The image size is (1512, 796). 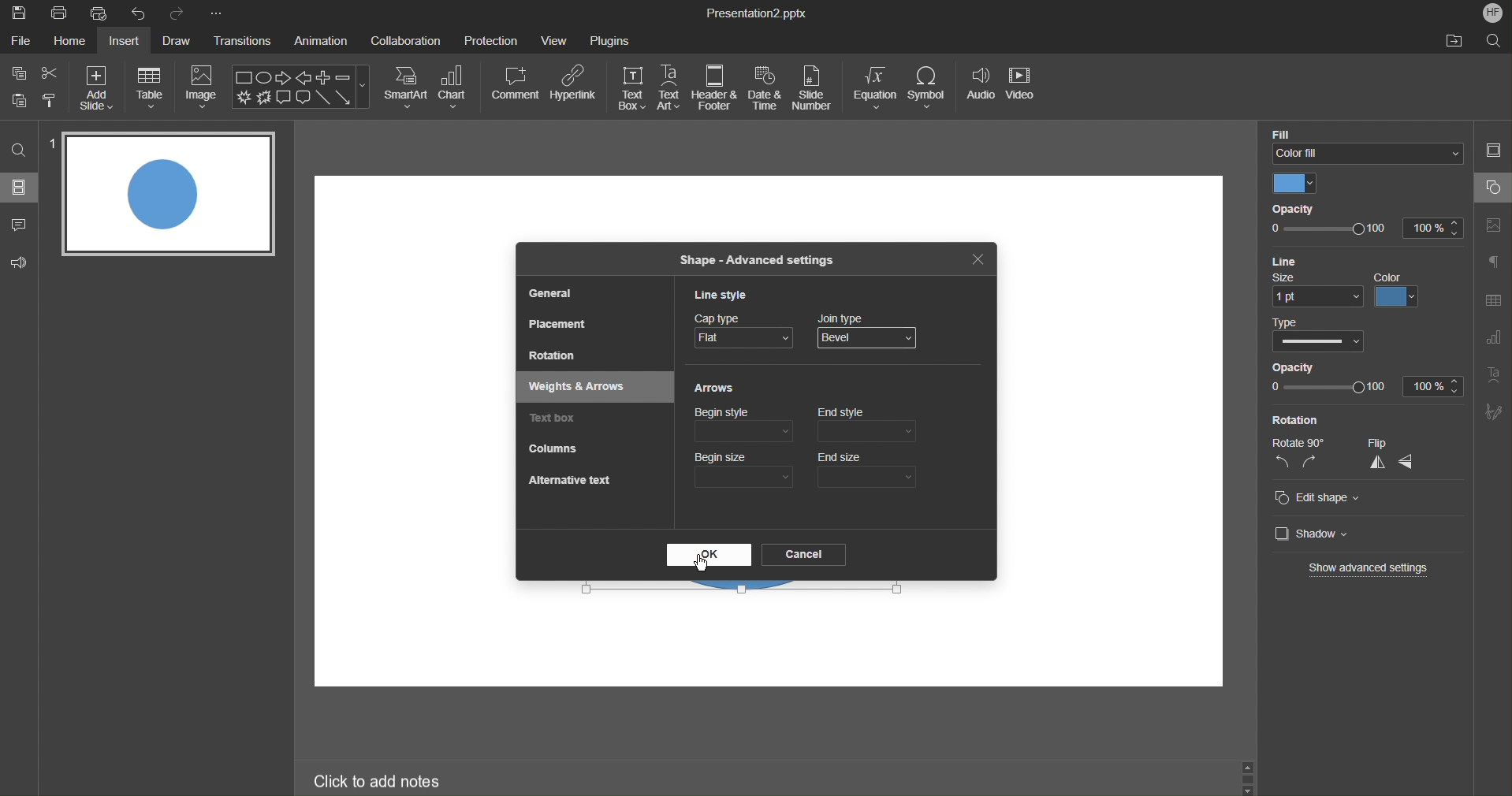 I want to click on Cap Type, so click(x=744, y=333).